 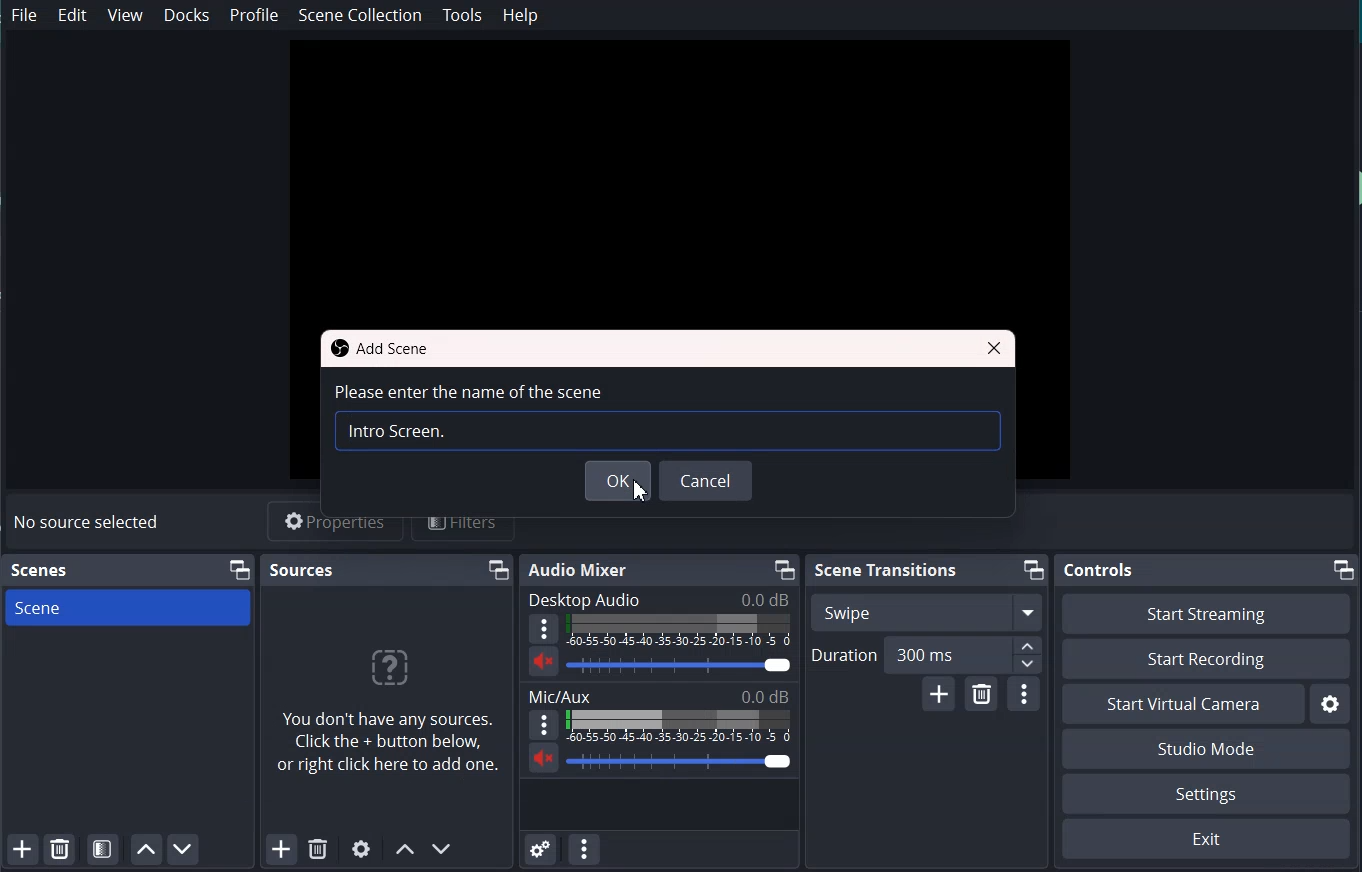 What do you see at coordinates (543, 628) in the screenshot?
I see `More` at bounding box center [543, 628].